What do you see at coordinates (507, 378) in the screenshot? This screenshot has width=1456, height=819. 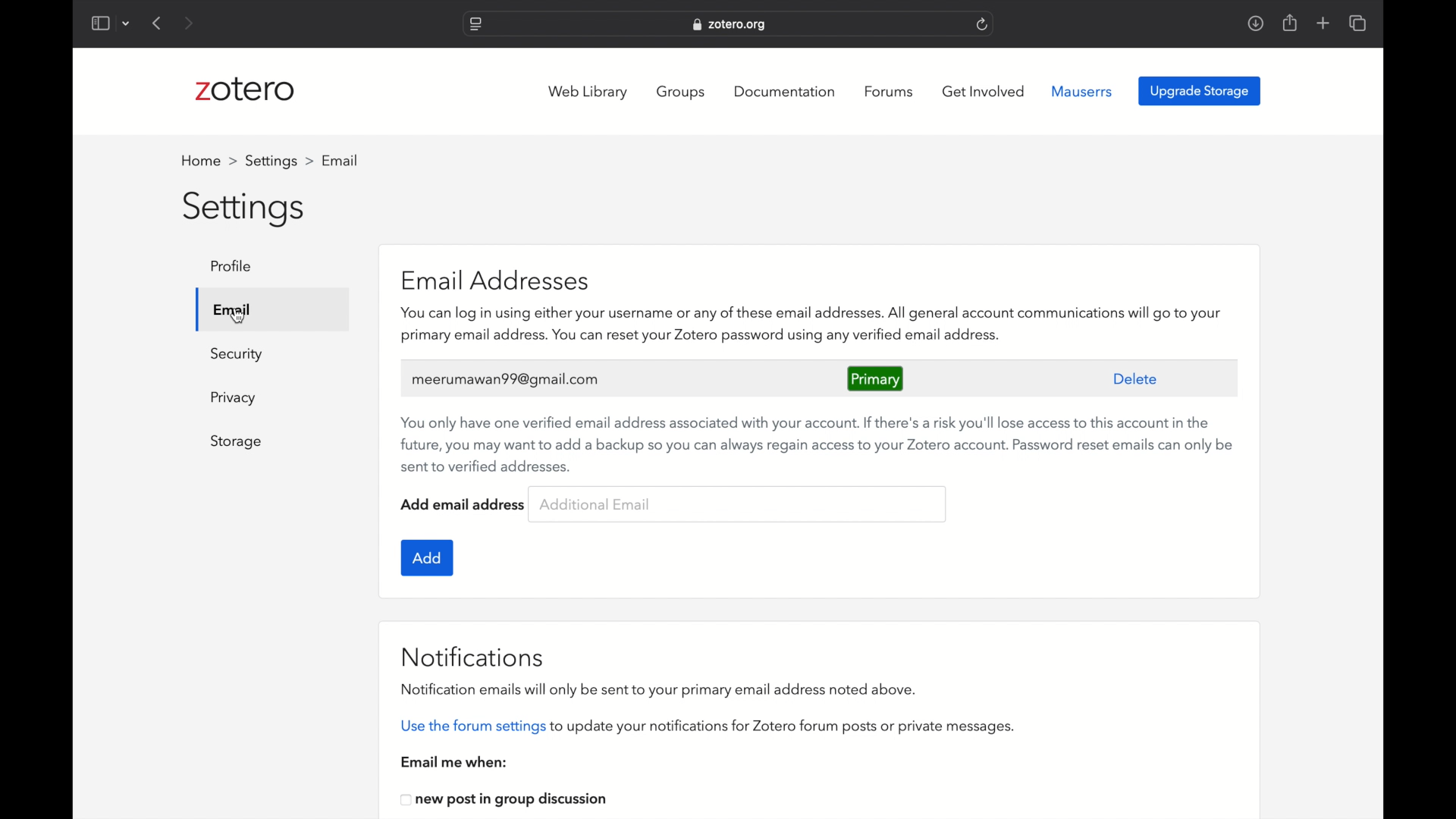 I see `user's email address (sample)` at bounding box center [507, 378].